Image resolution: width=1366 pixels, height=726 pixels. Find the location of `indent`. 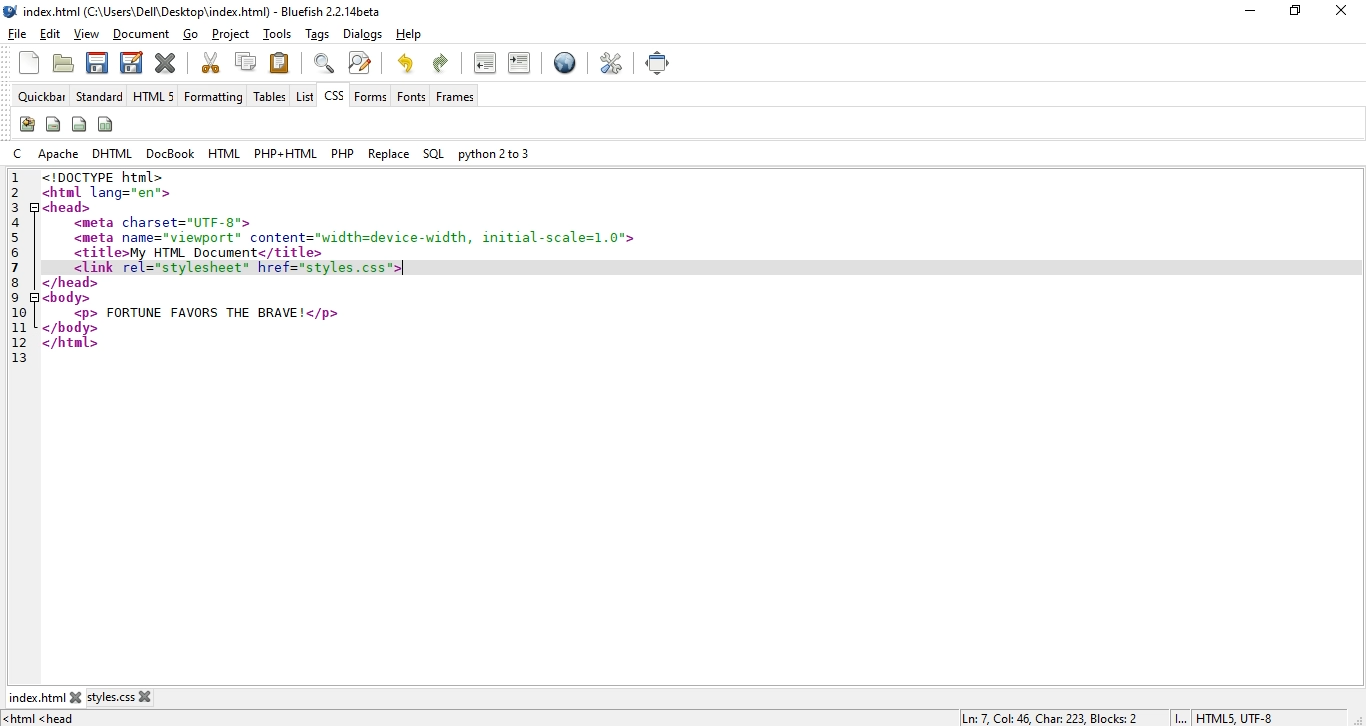

indent is located at coordinates (519, 62).